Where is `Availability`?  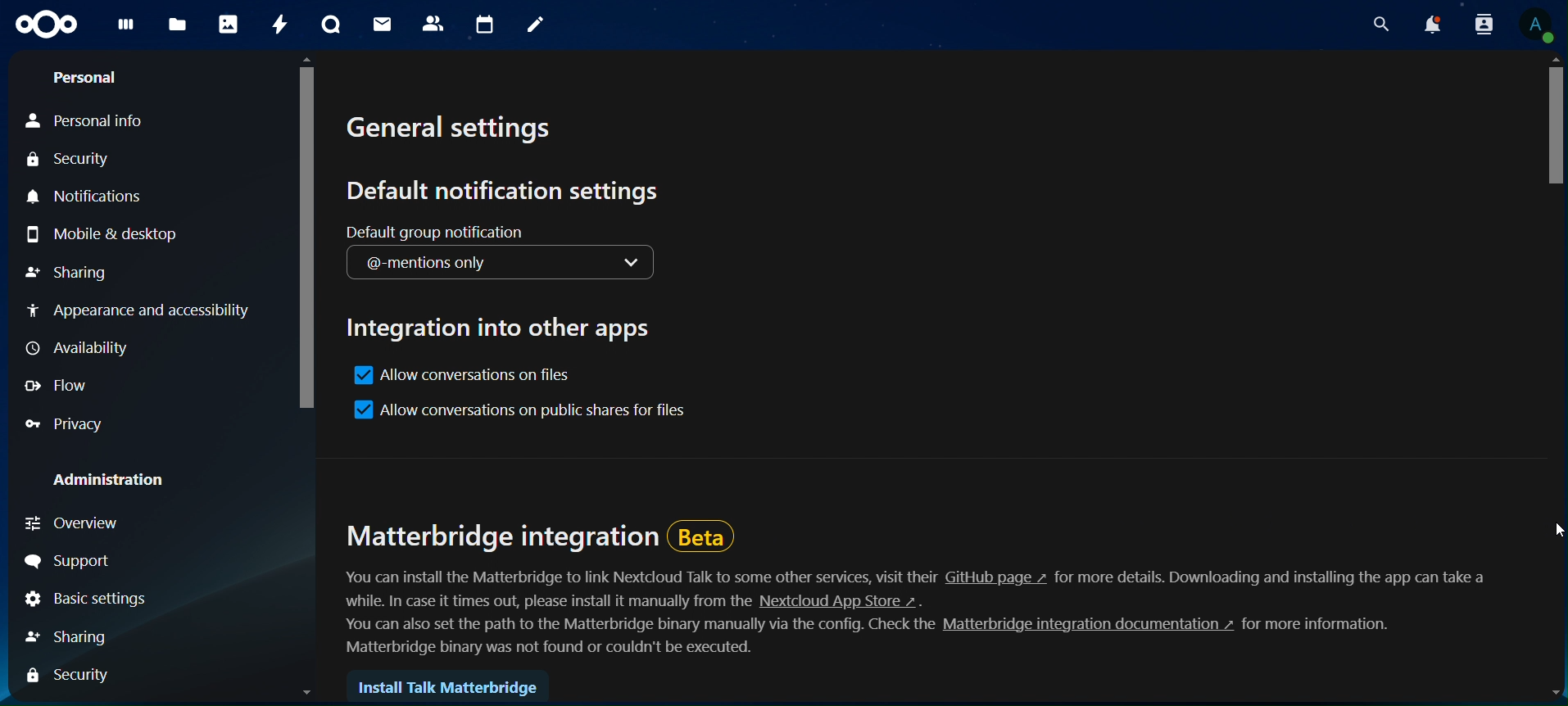 Availability is located at coordinates (74, 348).